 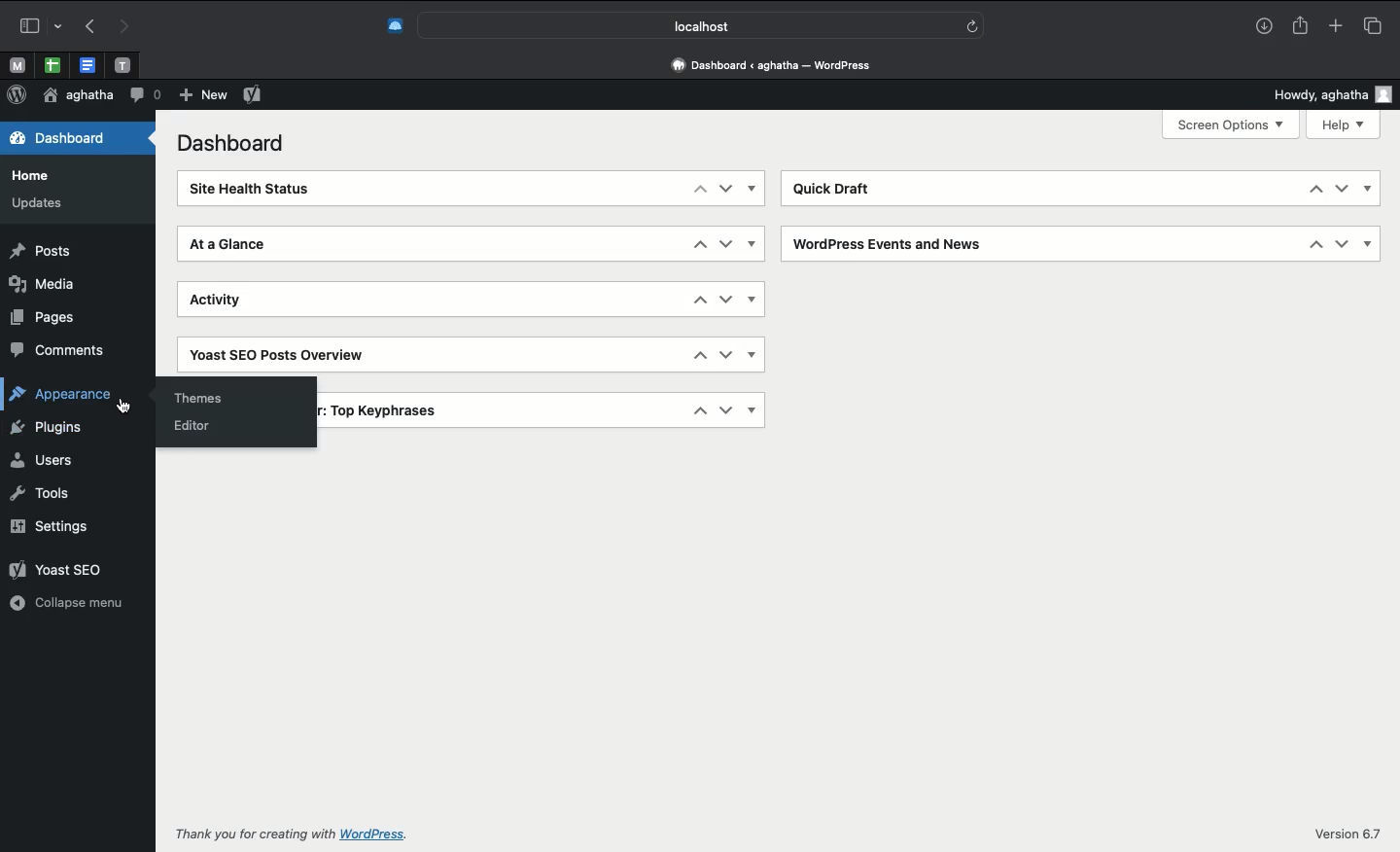 What do you see at coordinates (45, 285) in the screenshot?
I see `Media` at bounding box center [45, 285].